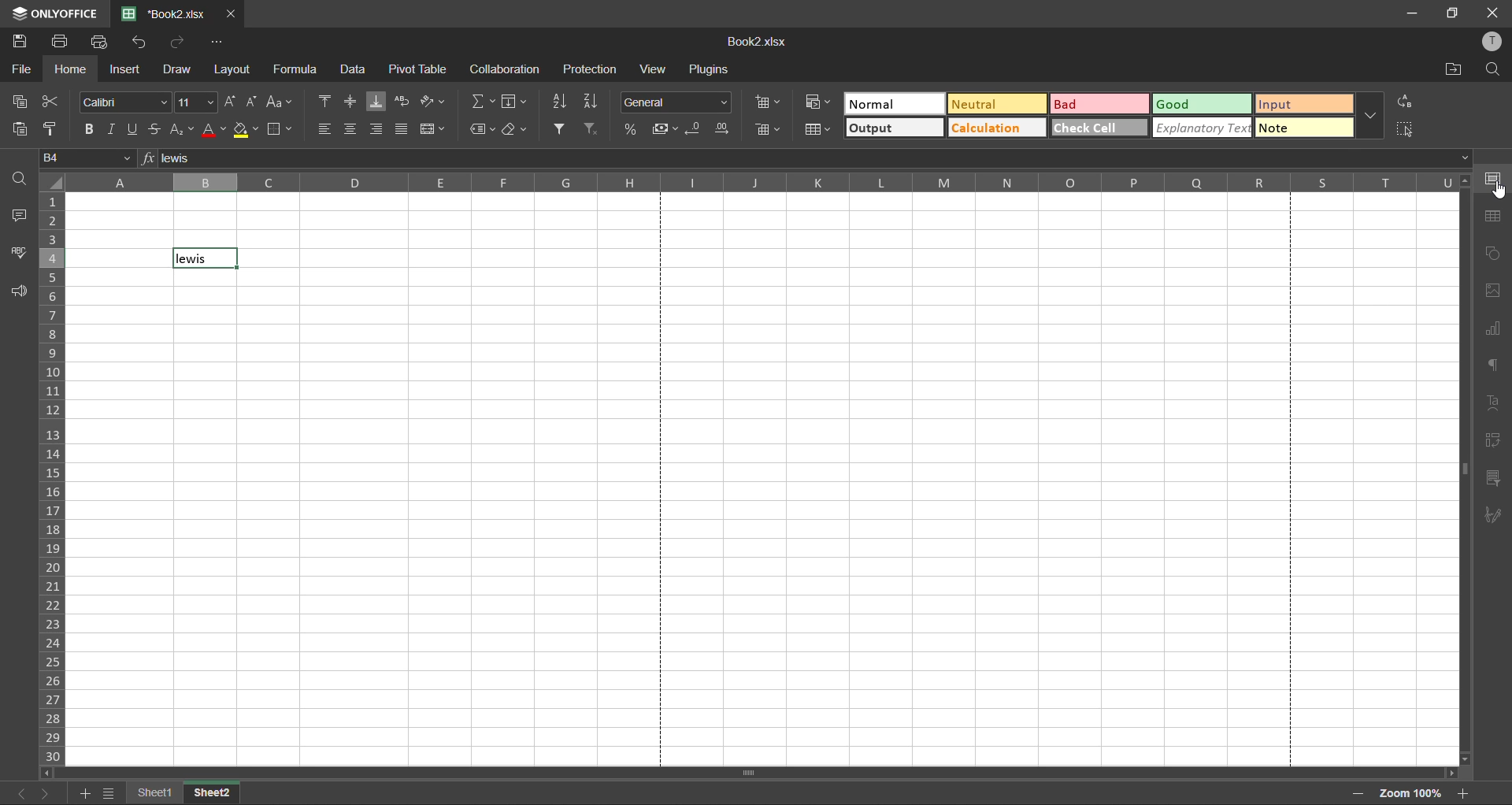 This screenshot has width=1512, height=805. I want to click on column names, so click(763, 181).